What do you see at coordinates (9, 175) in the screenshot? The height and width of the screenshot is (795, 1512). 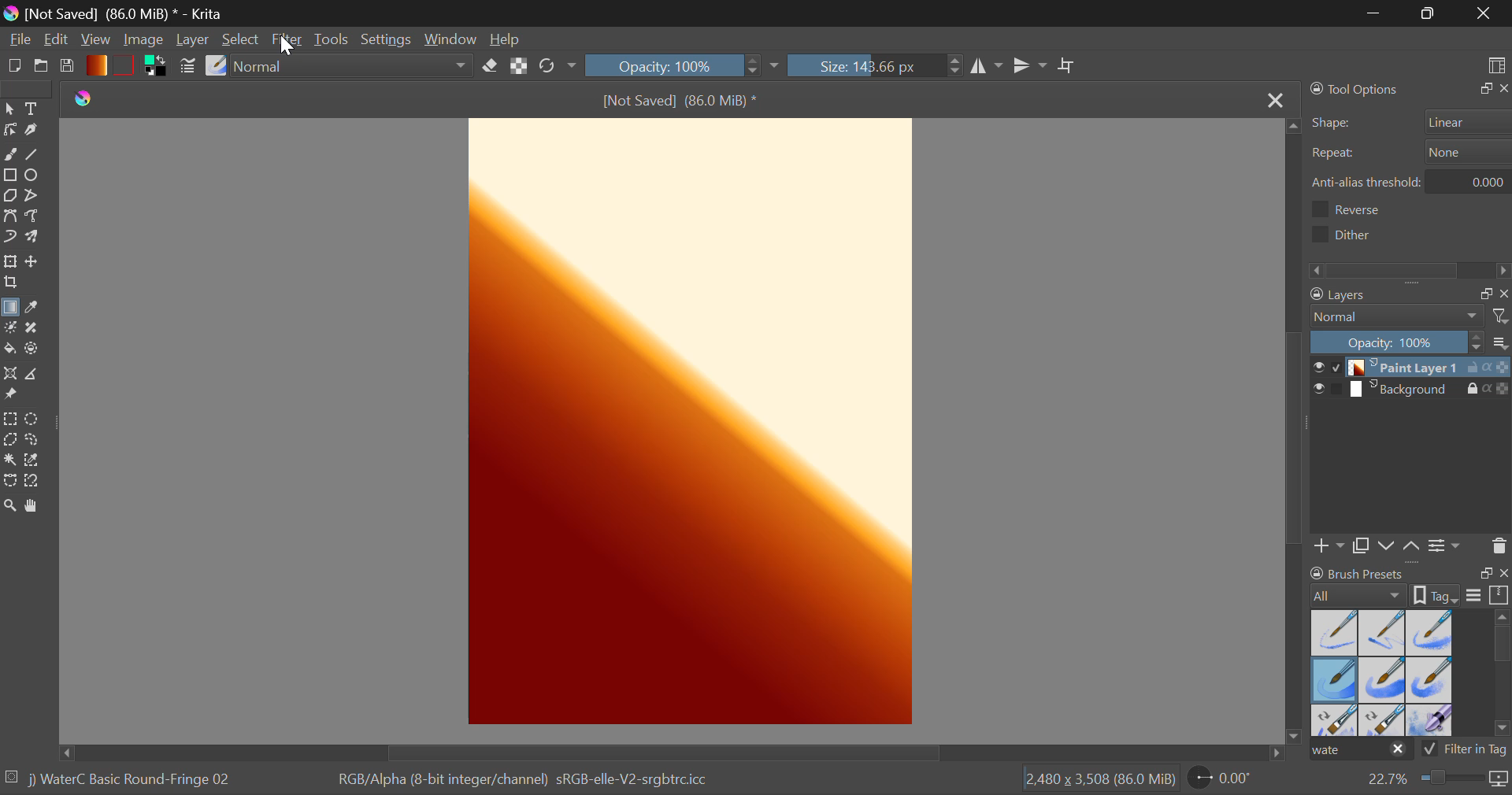 I see `Rectangle` at bounding box center [9, 175].